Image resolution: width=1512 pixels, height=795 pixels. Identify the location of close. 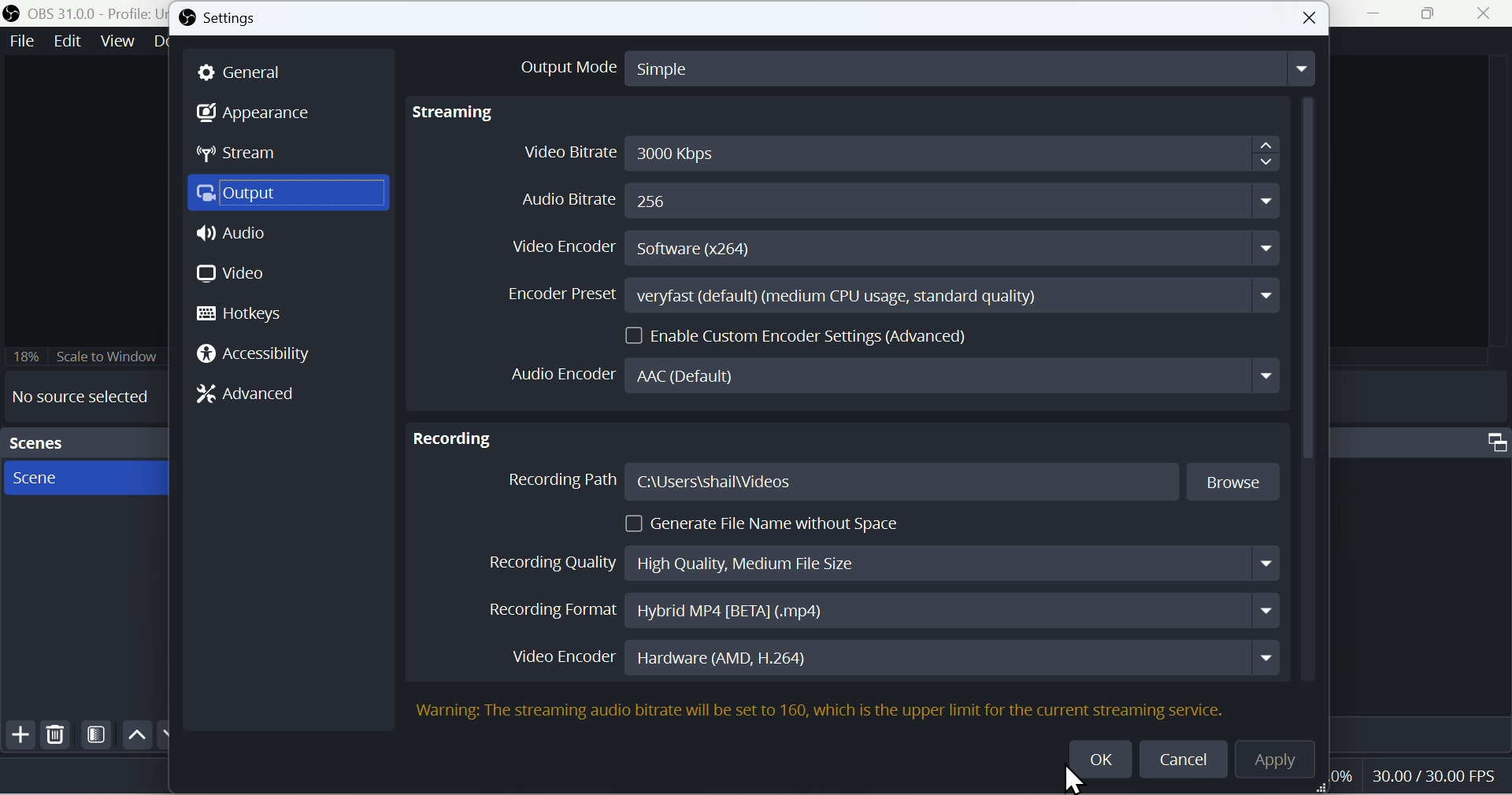
(1488, 15).